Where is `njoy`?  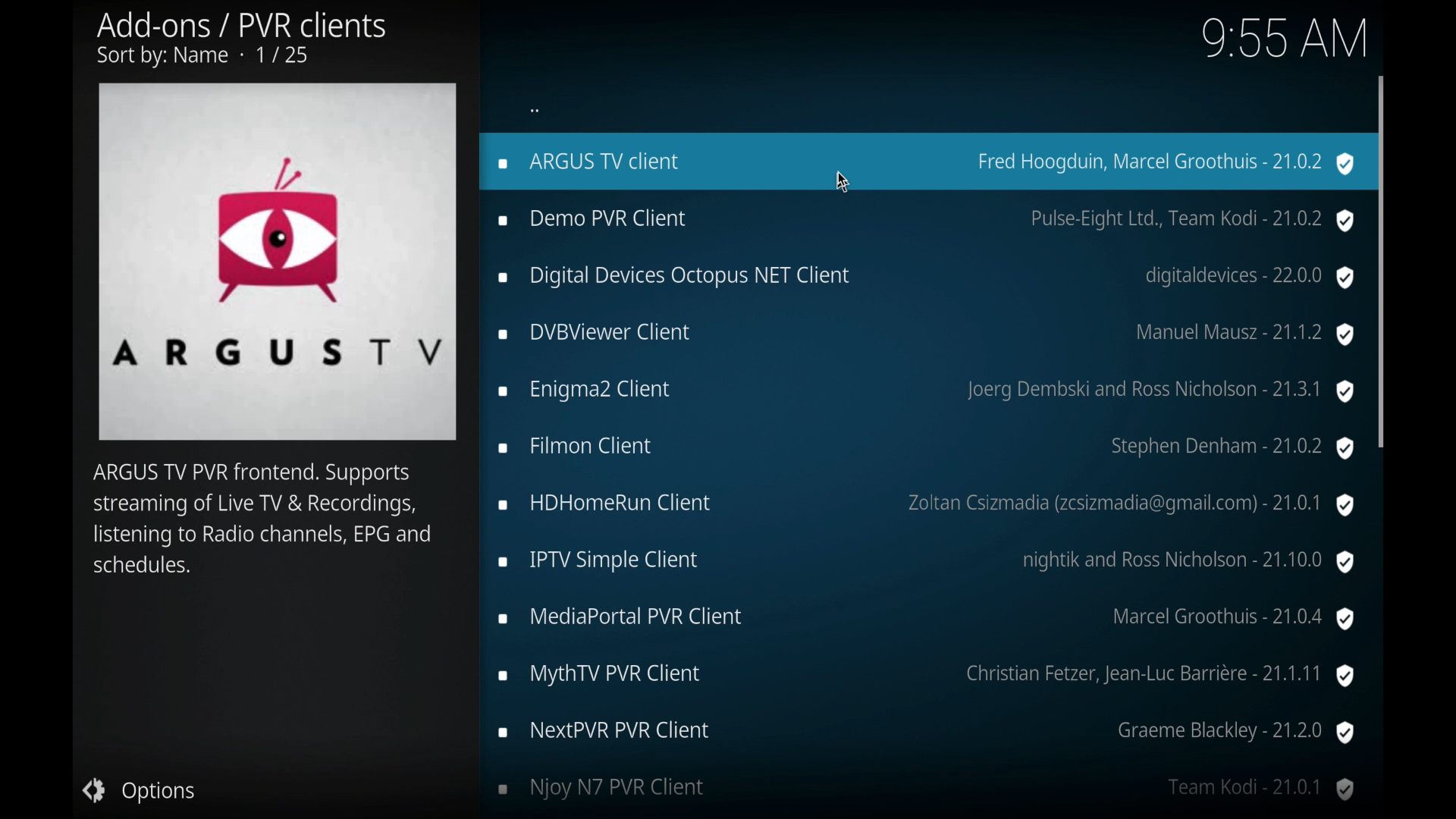
njoy is located at coordinates (927, 789).